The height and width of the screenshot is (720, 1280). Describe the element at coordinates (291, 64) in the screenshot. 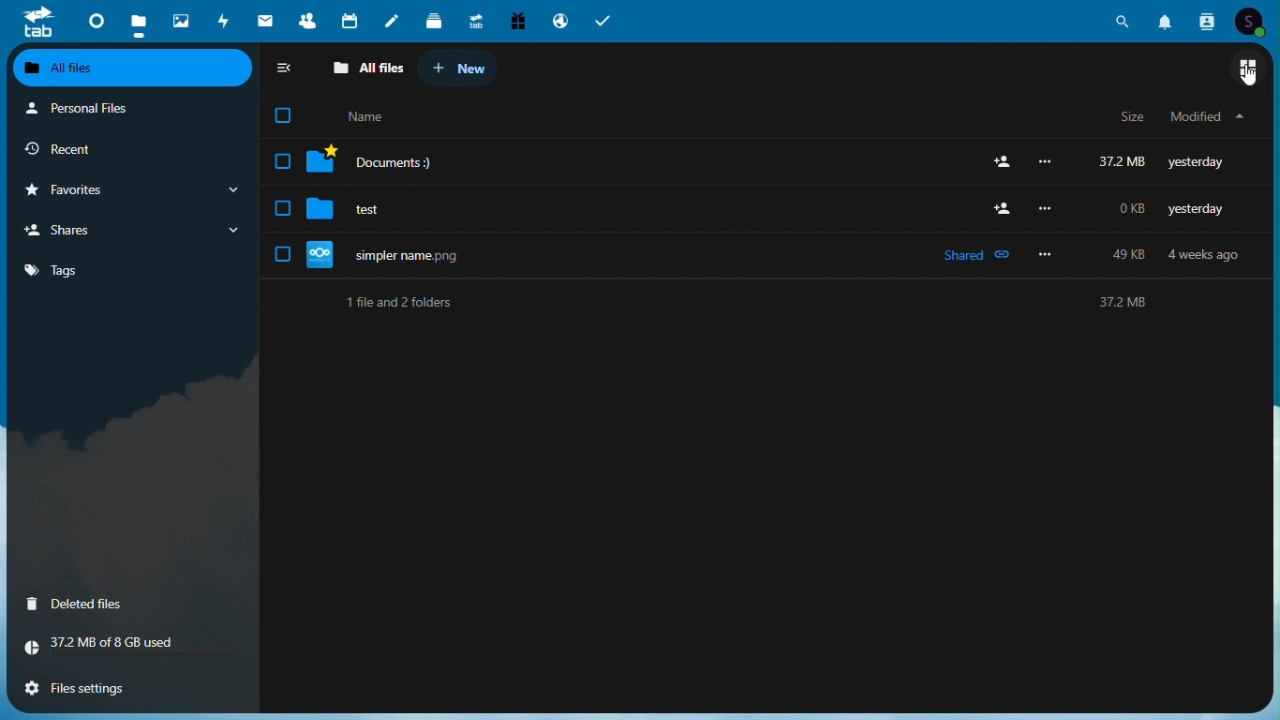

I see `Collapse side bar` at that location.